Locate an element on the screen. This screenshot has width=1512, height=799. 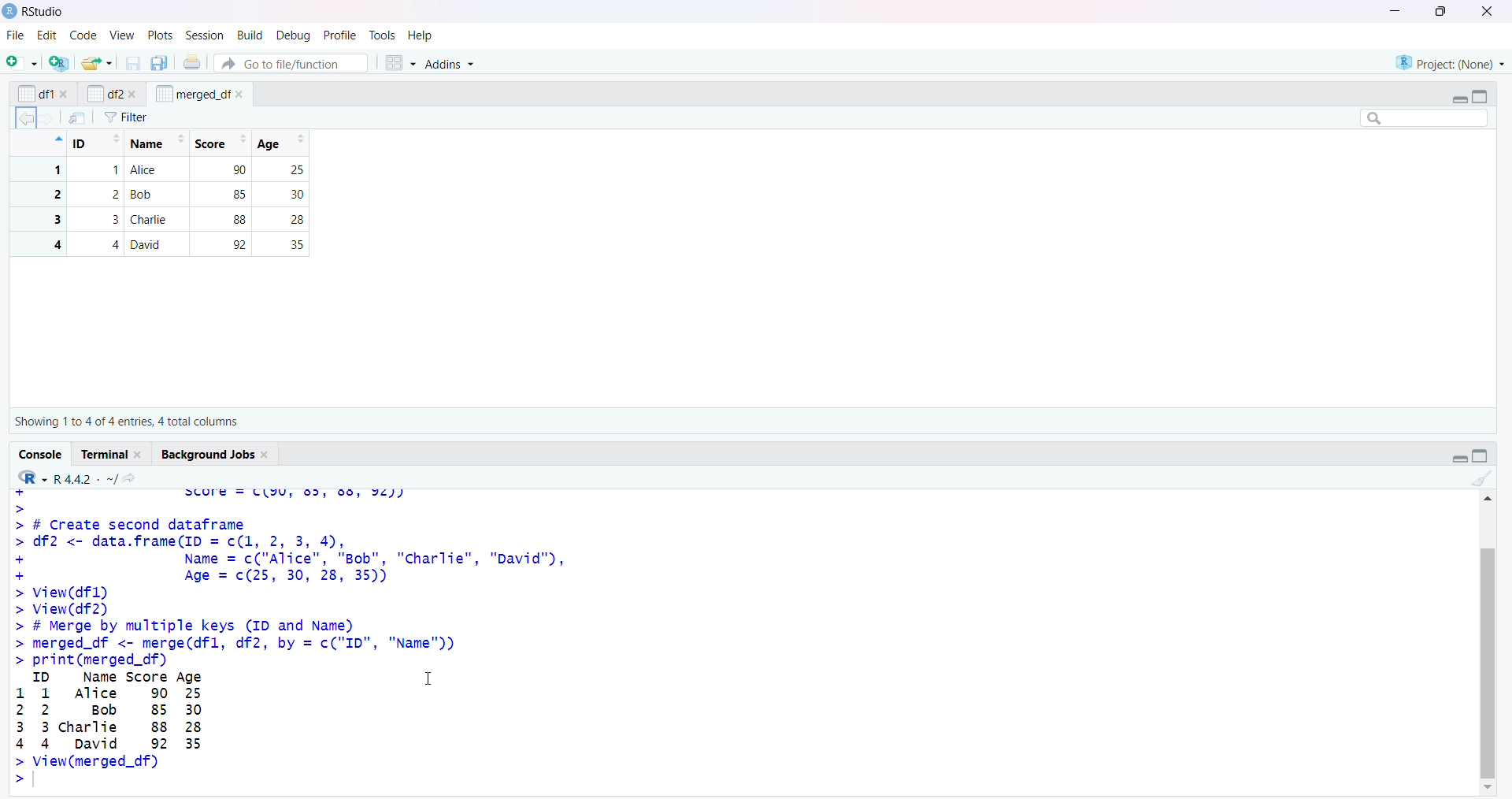
share icon is located at coordinates (130, 478).